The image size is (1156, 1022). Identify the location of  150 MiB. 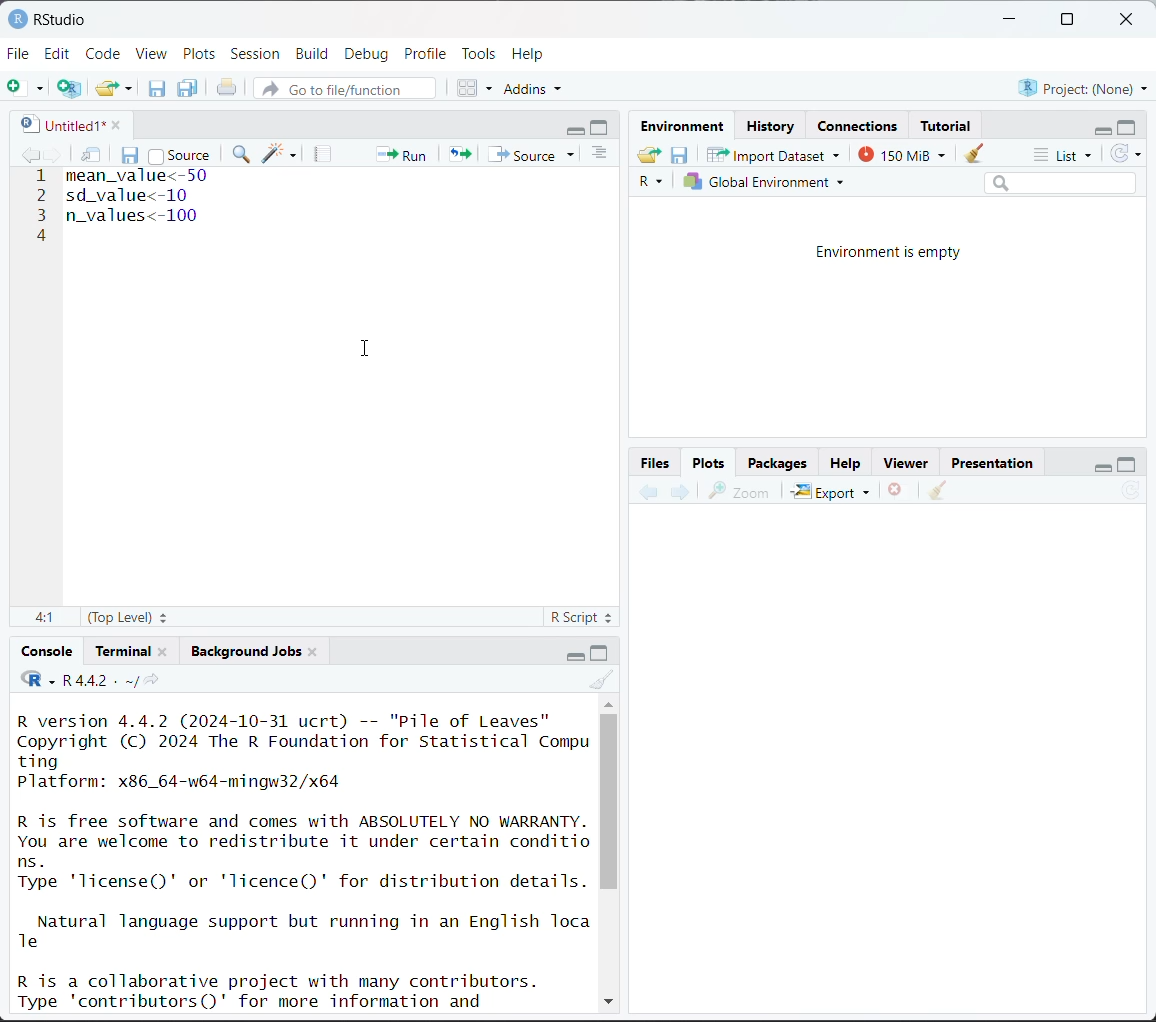
(899, 152).